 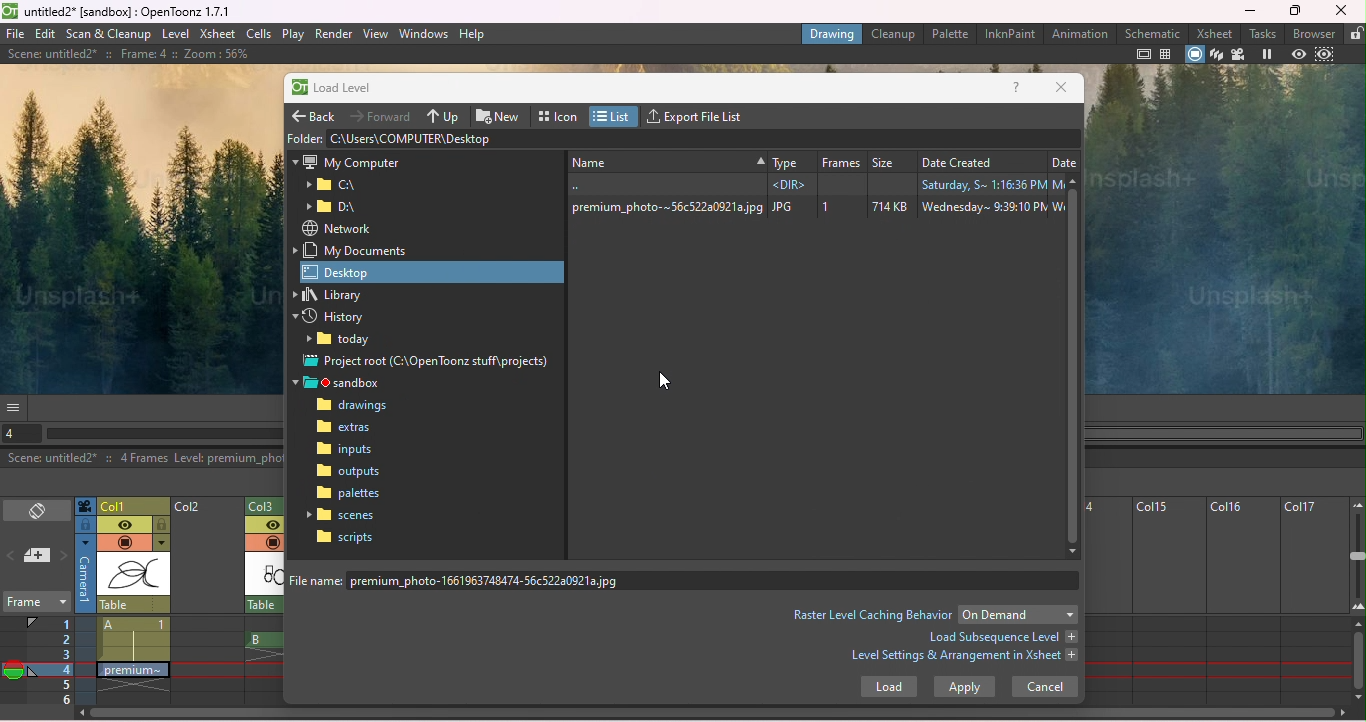 I want to click on file, so click(x=15, y=34).